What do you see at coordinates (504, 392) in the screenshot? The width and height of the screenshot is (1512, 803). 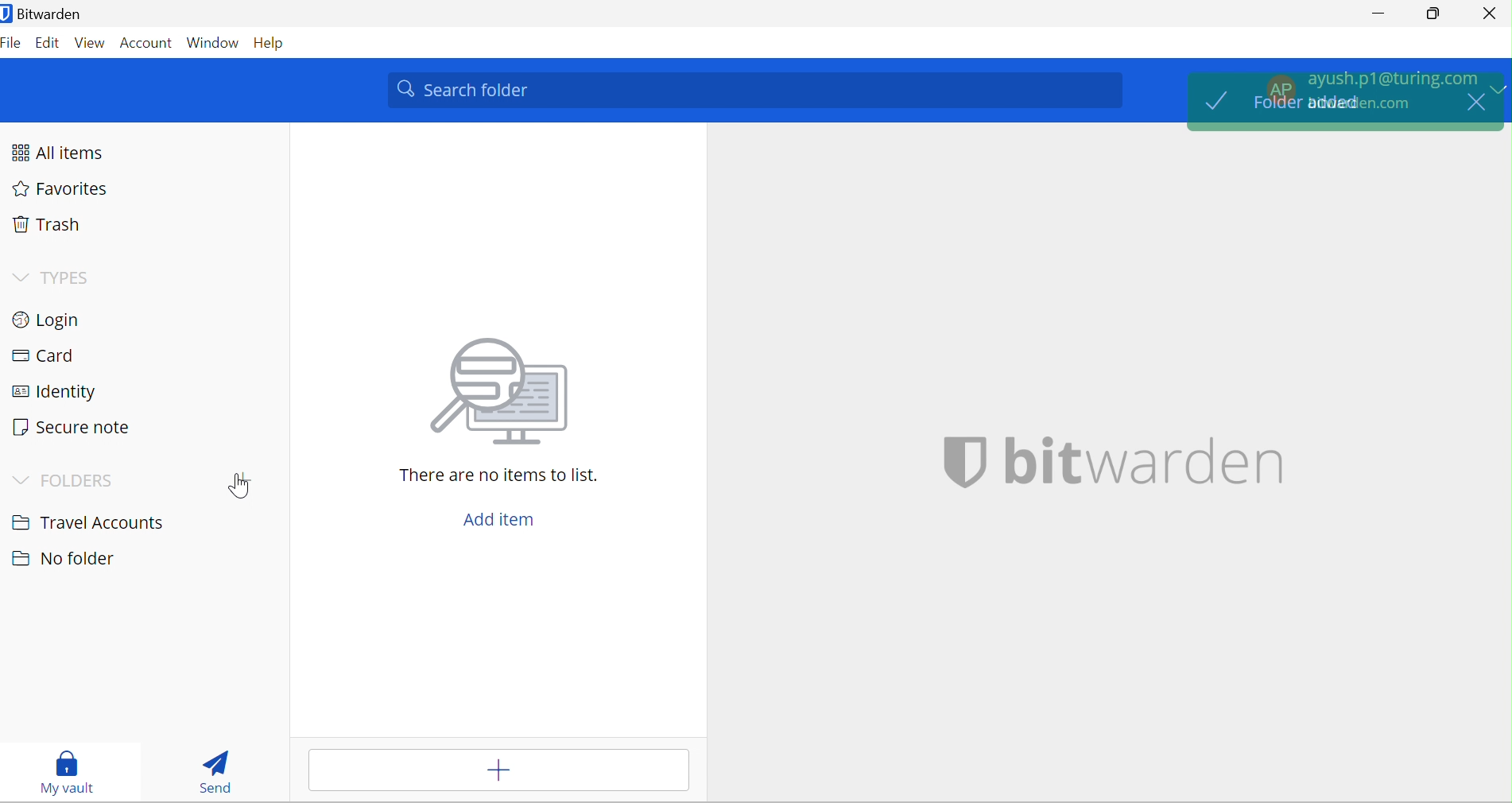 I see `Image` at bounding box center [504, 392].